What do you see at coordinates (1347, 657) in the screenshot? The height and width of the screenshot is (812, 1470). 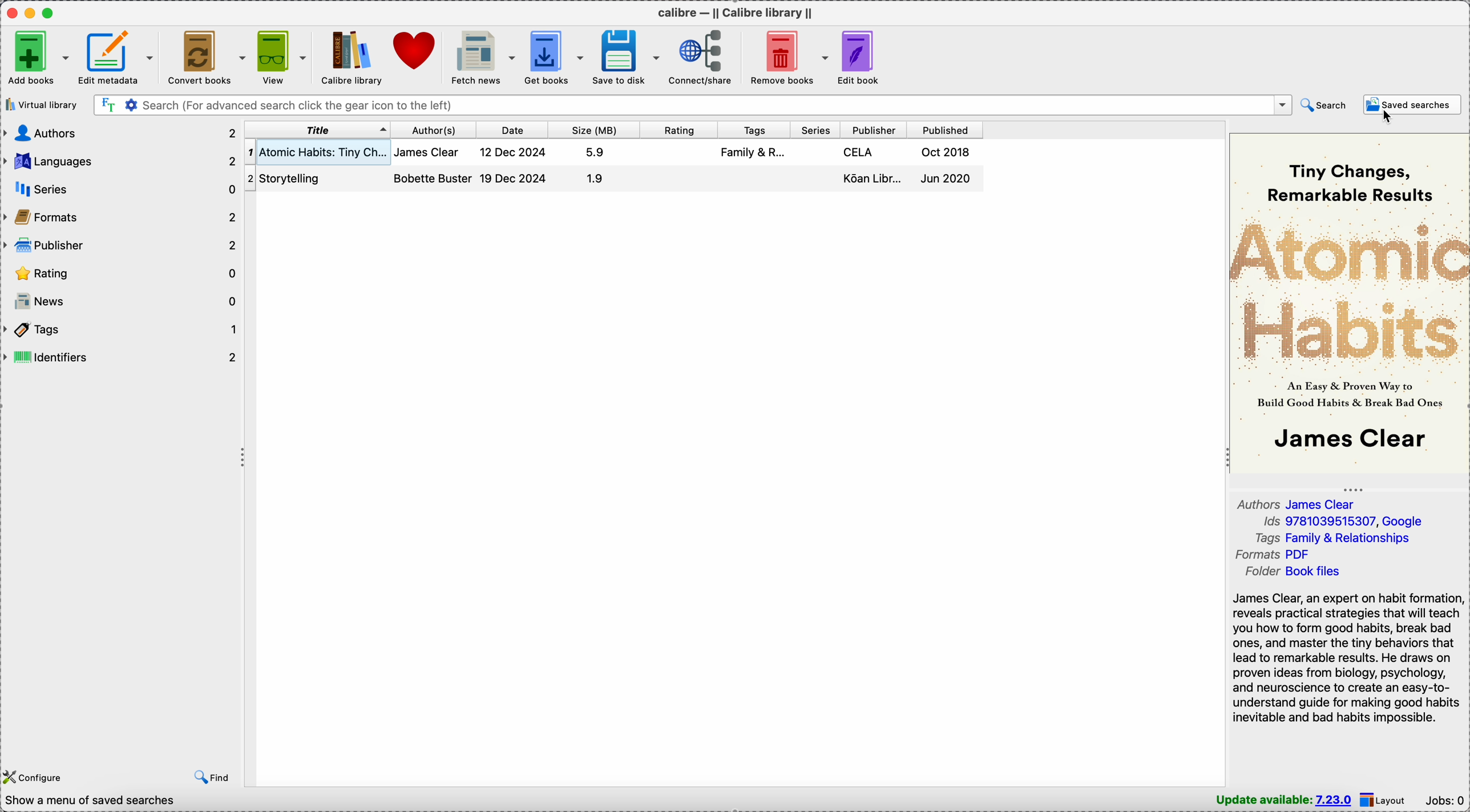 I see `James Clear, an expert on habit formation,
reveals practical strategies that will teach
you how to form good habits, break bad
ones, and master the tiny behaviors that
lead to remarkable results. He draws on
proven ideas from biology, psychology,
and neuroscience to create an easy-to-
understand guide for making good habits
inevitable and bad habits impossible.` at bounding box center [1347, 657].